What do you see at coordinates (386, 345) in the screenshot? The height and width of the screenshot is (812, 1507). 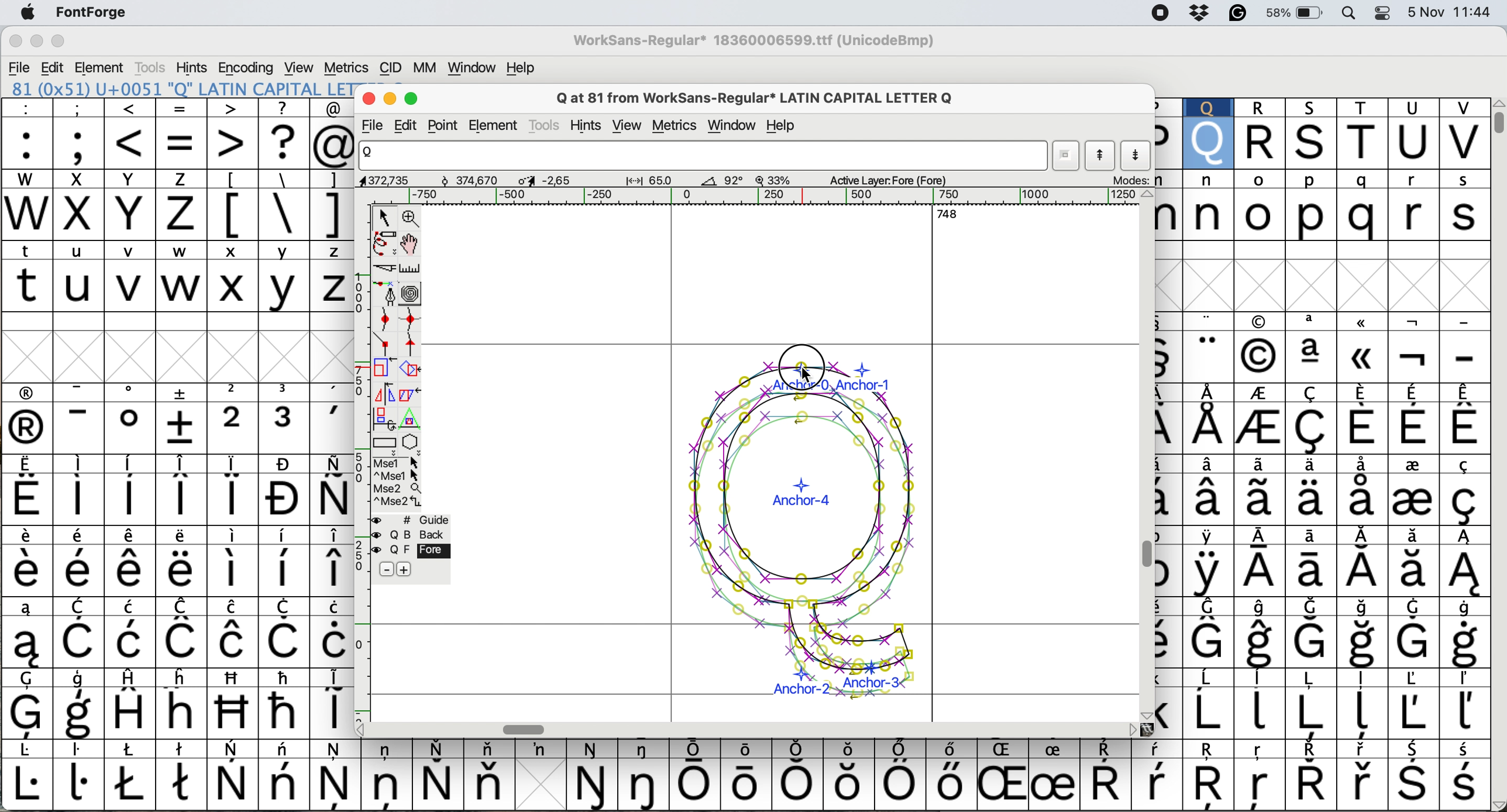 I see `add a comer point` at bounding box center [386, 345].